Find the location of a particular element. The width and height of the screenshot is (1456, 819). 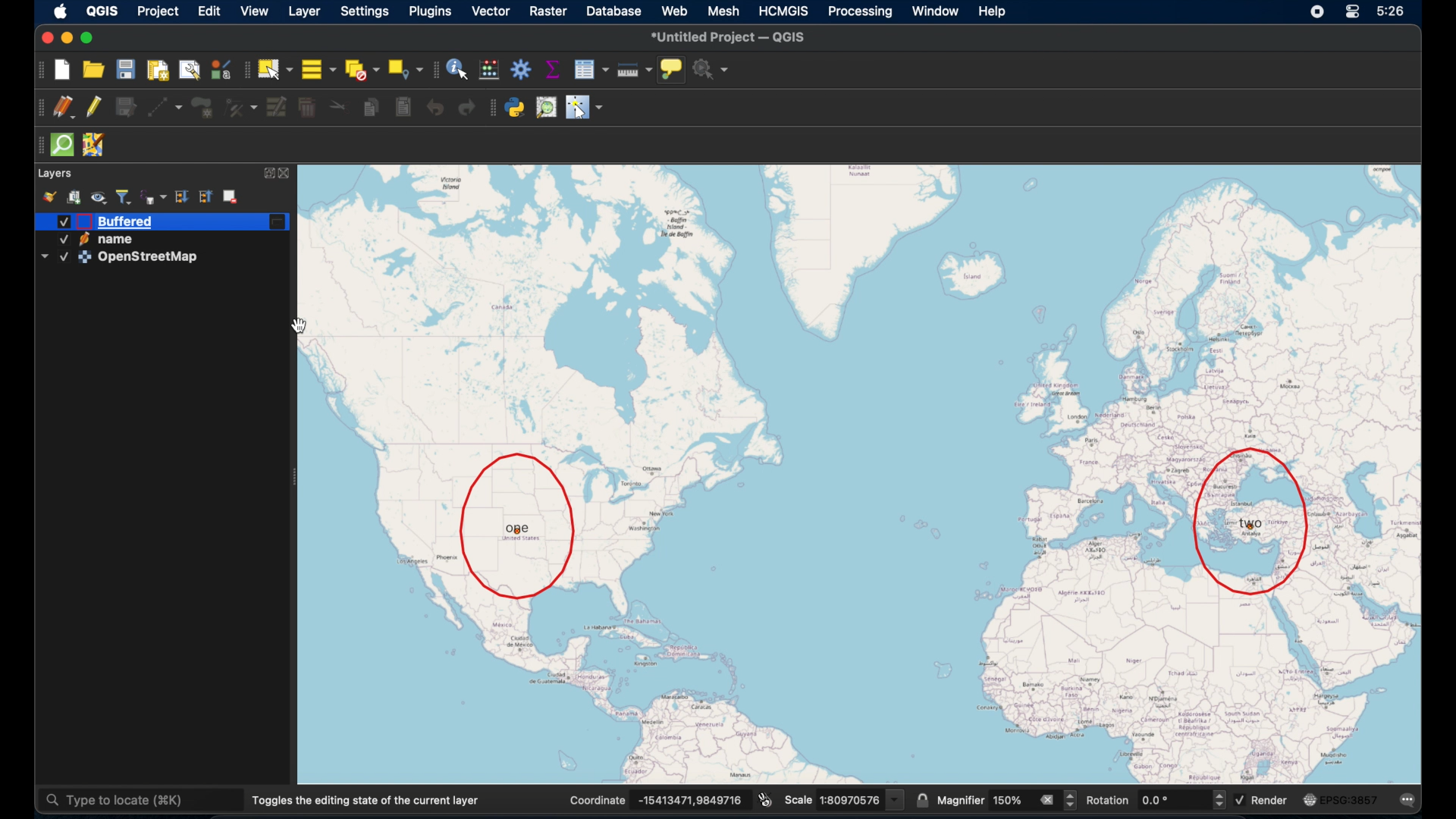

someplace search is located at coordinates (547, 107).